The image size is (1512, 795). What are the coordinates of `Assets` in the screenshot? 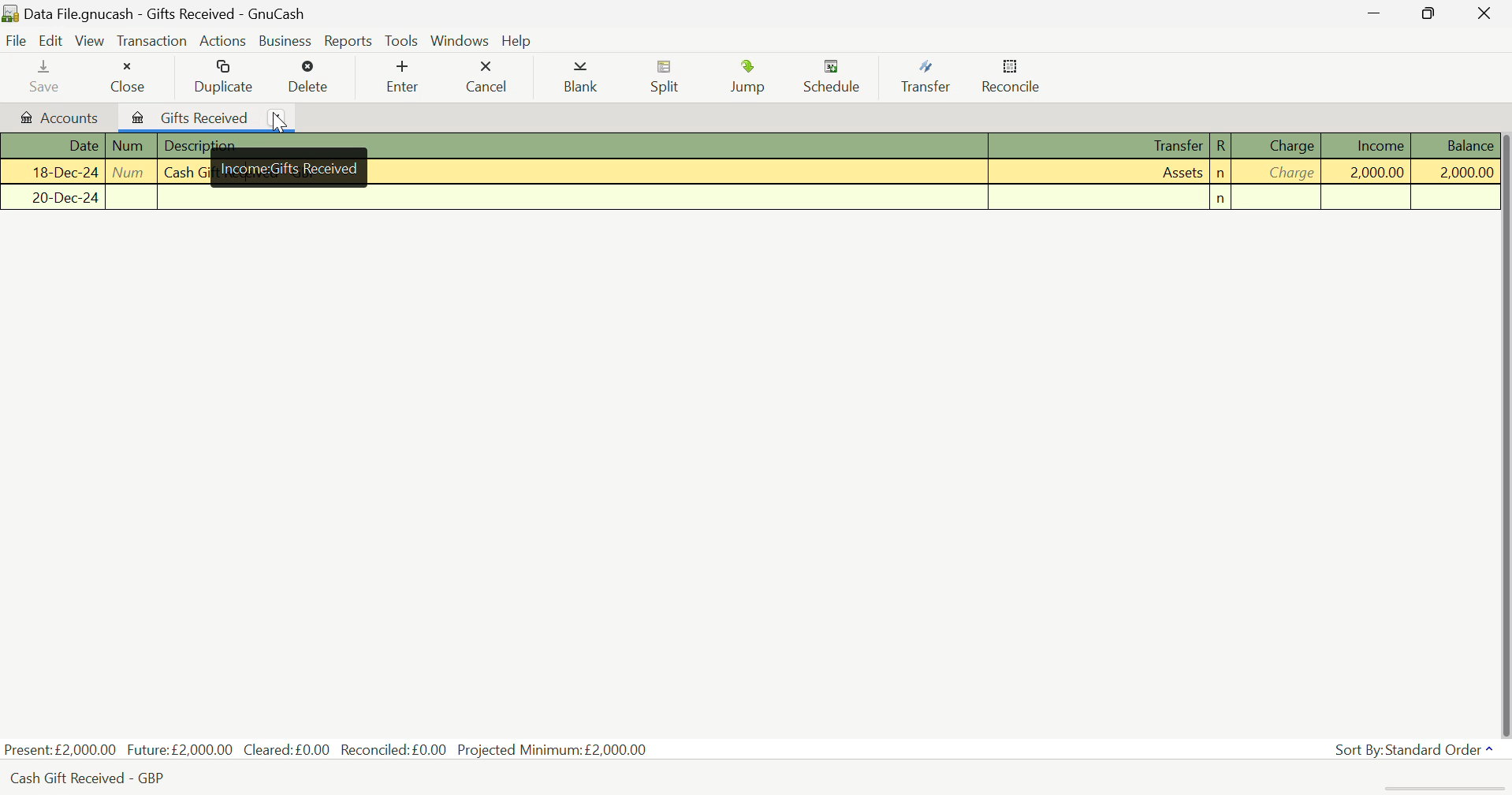 It's located at (1101, 174).